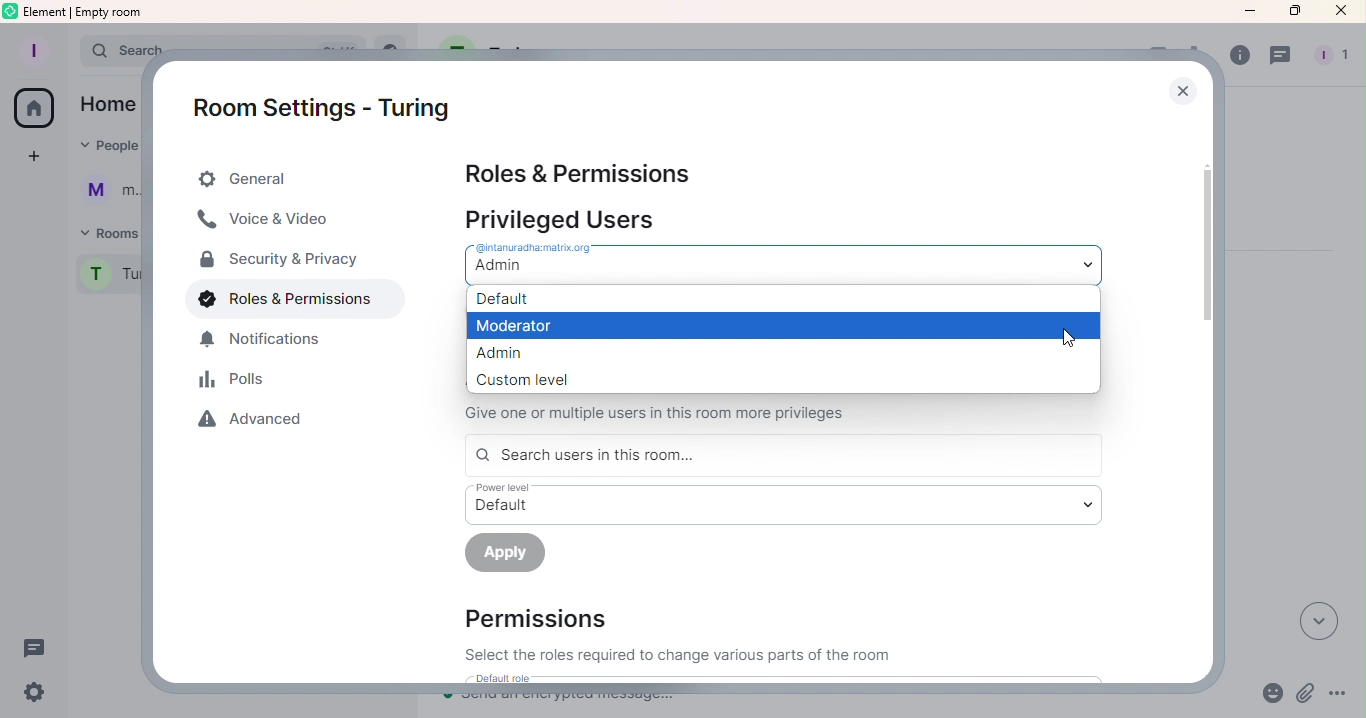 Image resolution: width=1366 pixels, height=718 pixels. Describe the element at coordinates (618, 214) in the screenshot. I see `Privileged users` at that location.